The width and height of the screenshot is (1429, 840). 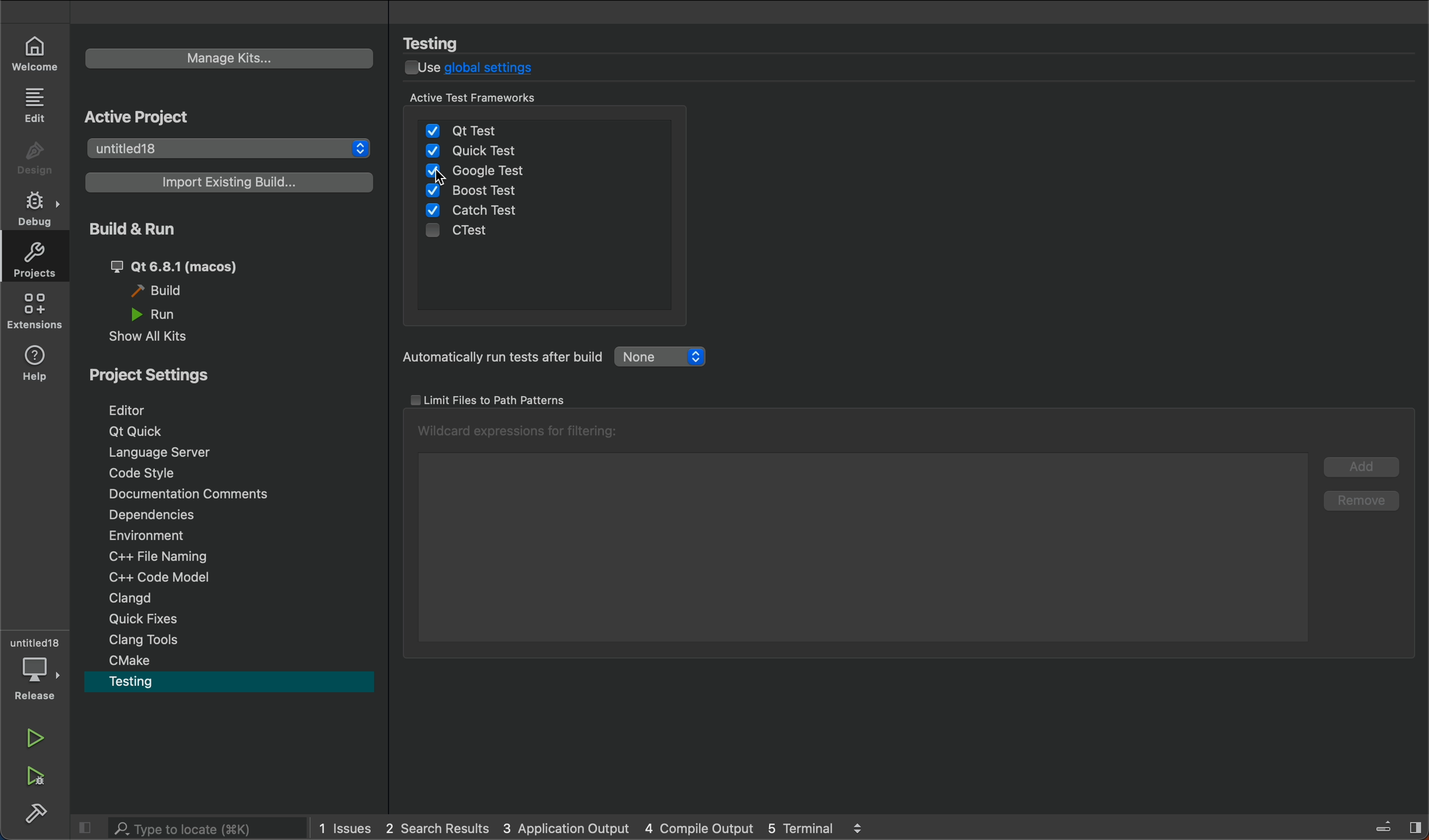 I want to click on disable global settings, so click(x=480, y=70).